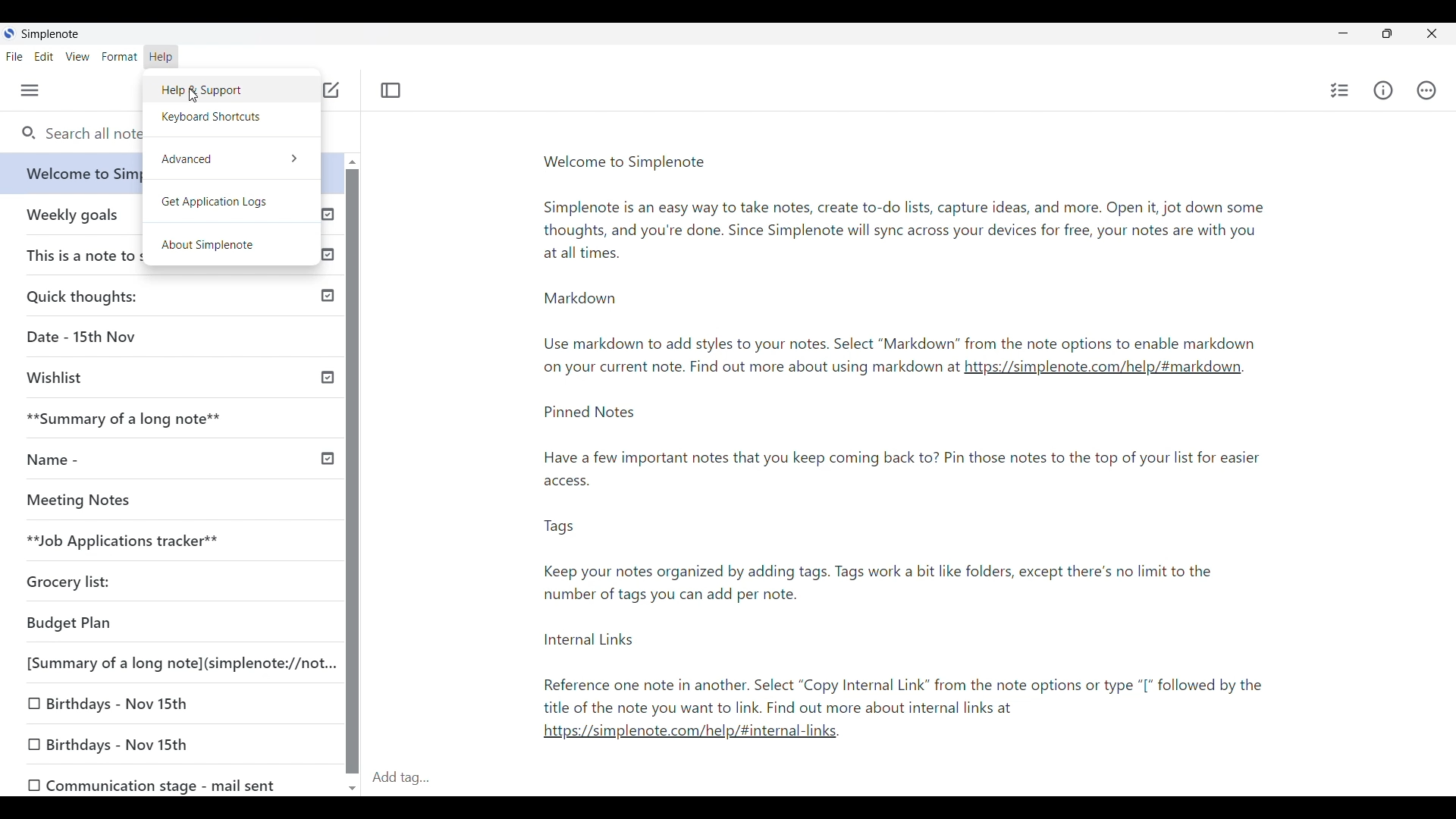  Describe the element at coordinates (231, 117) in the screenshot. I see `Keyboard shortcuts` at that location.